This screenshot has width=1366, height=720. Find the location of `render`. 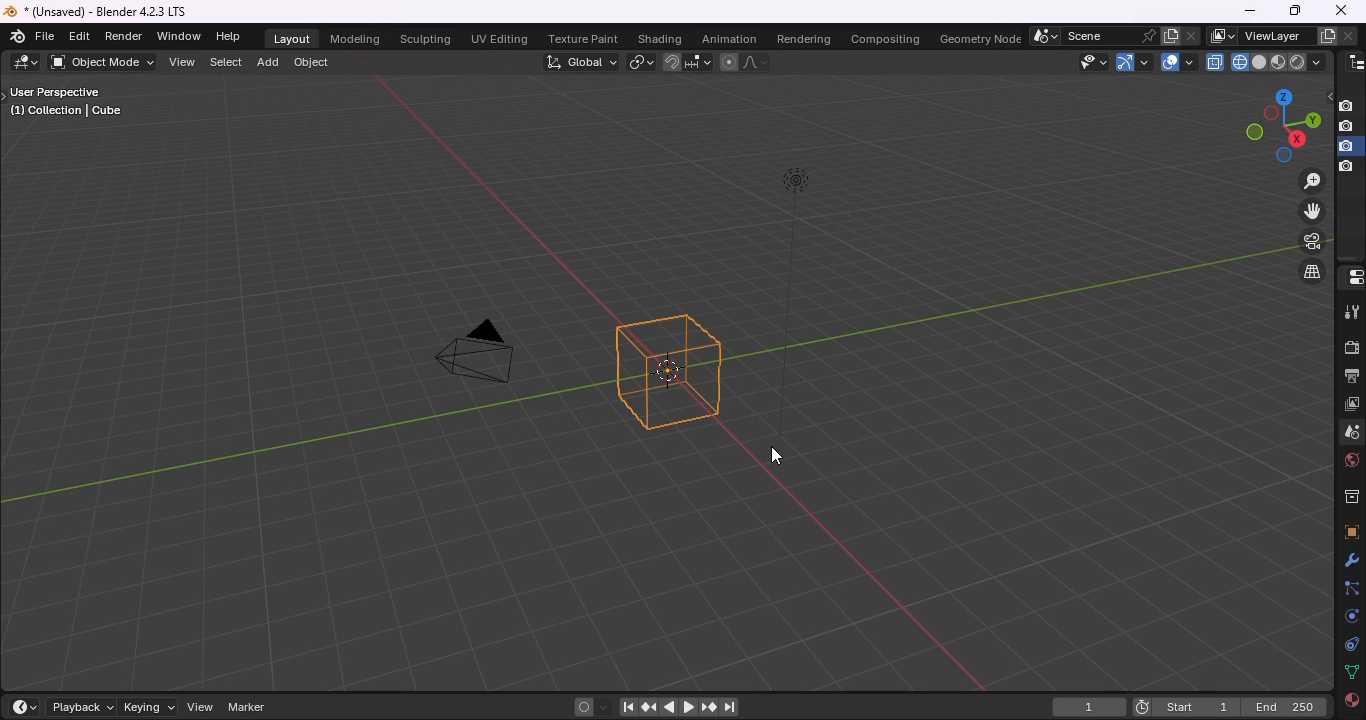

render is located at coordinates (125, 35).